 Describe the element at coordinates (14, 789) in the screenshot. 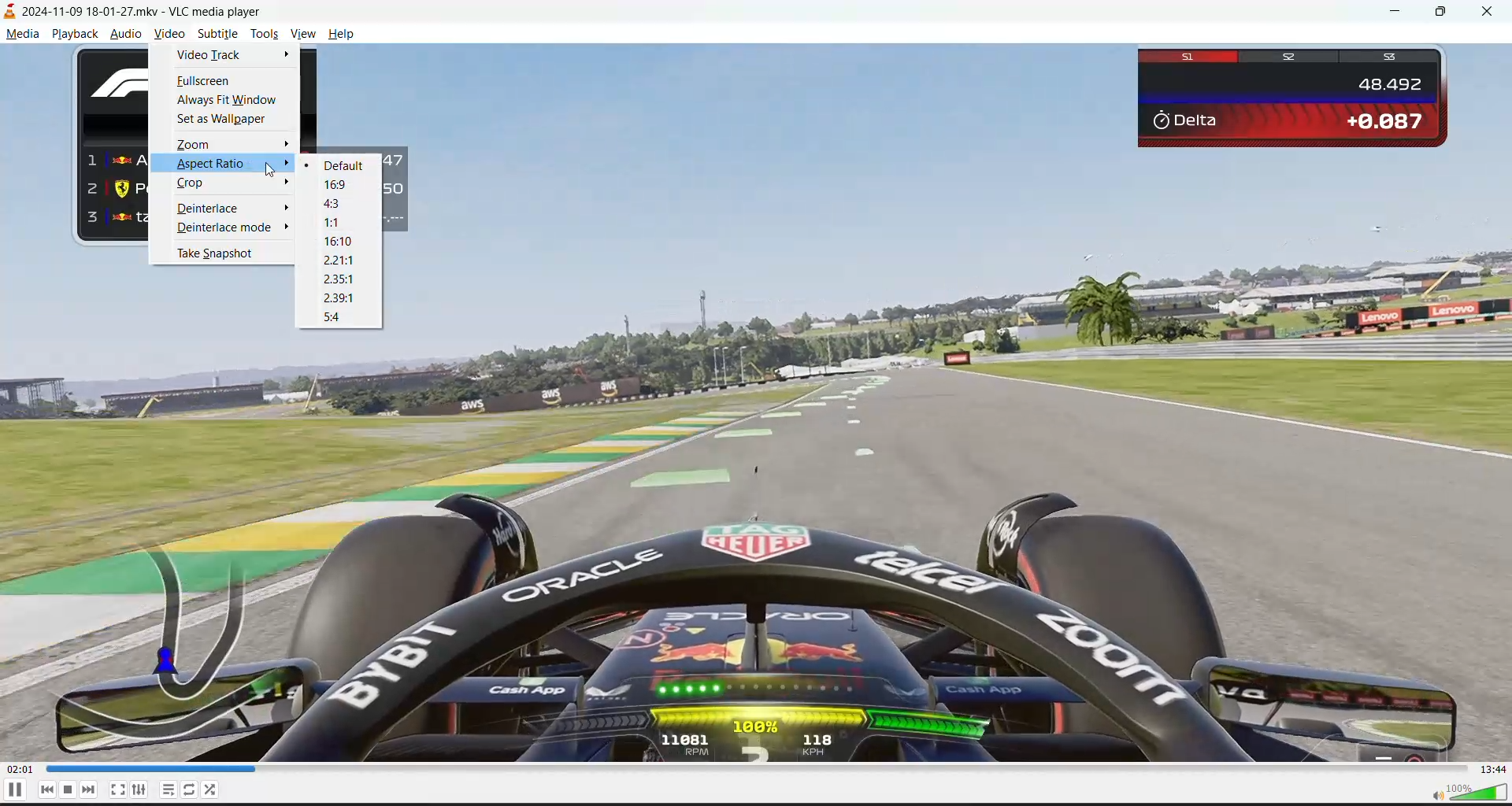

I see `pause` at that location.